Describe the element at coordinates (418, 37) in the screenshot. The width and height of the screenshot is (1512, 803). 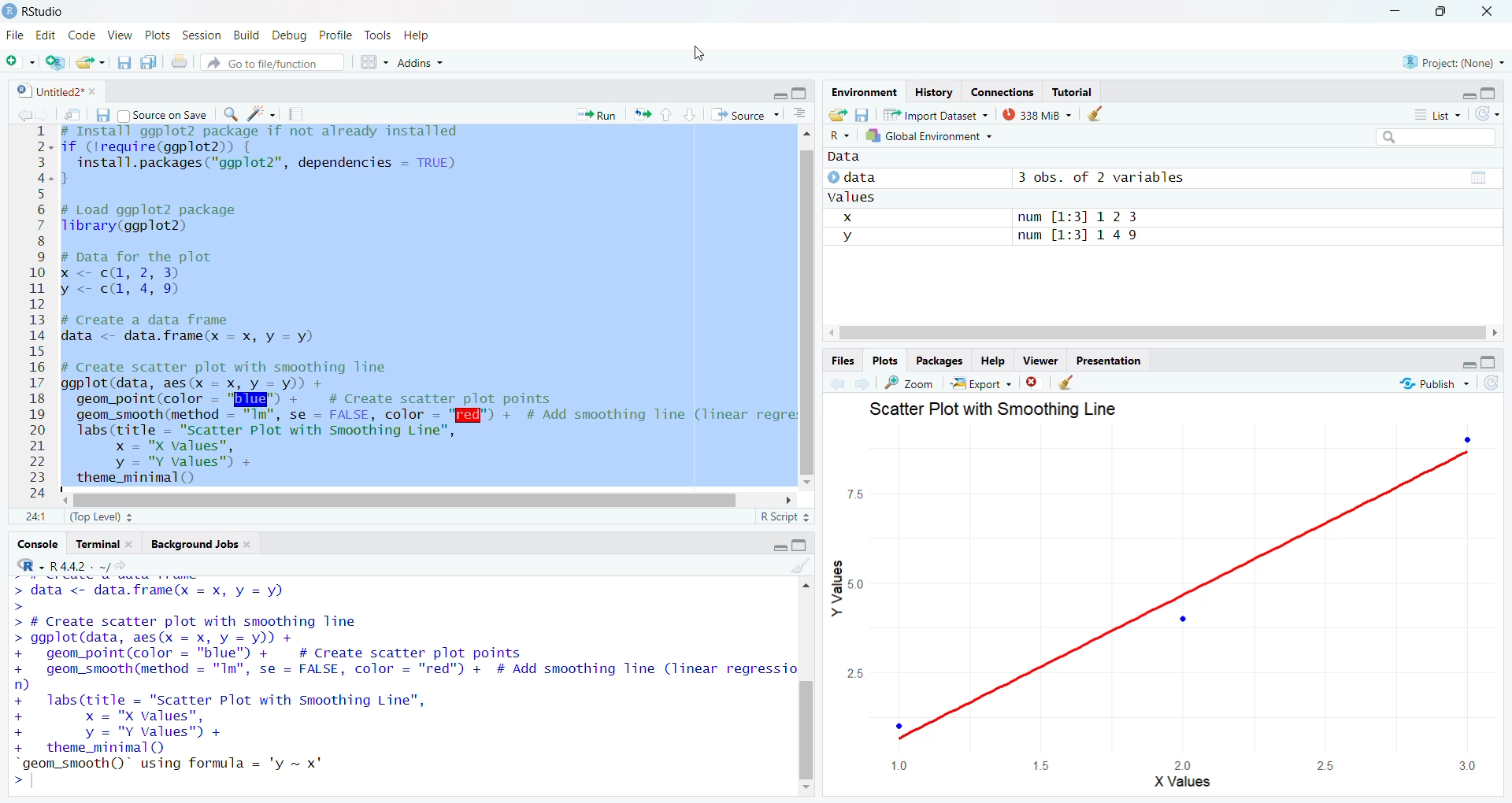
I see `Help` at that location.